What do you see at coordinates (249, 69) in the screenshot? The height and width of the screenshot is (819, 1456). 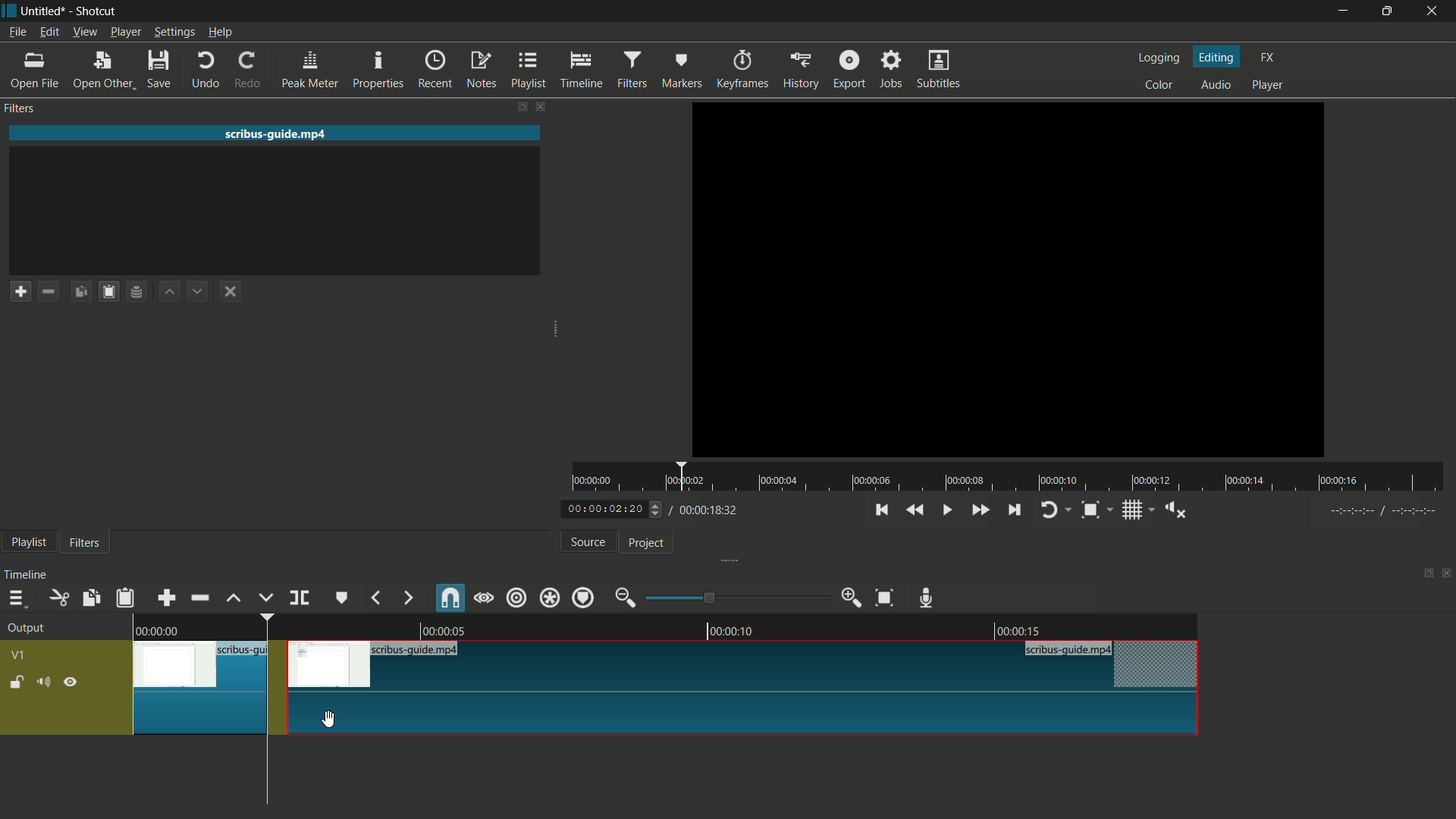 I see `redo` at bounding box center [249, 69].